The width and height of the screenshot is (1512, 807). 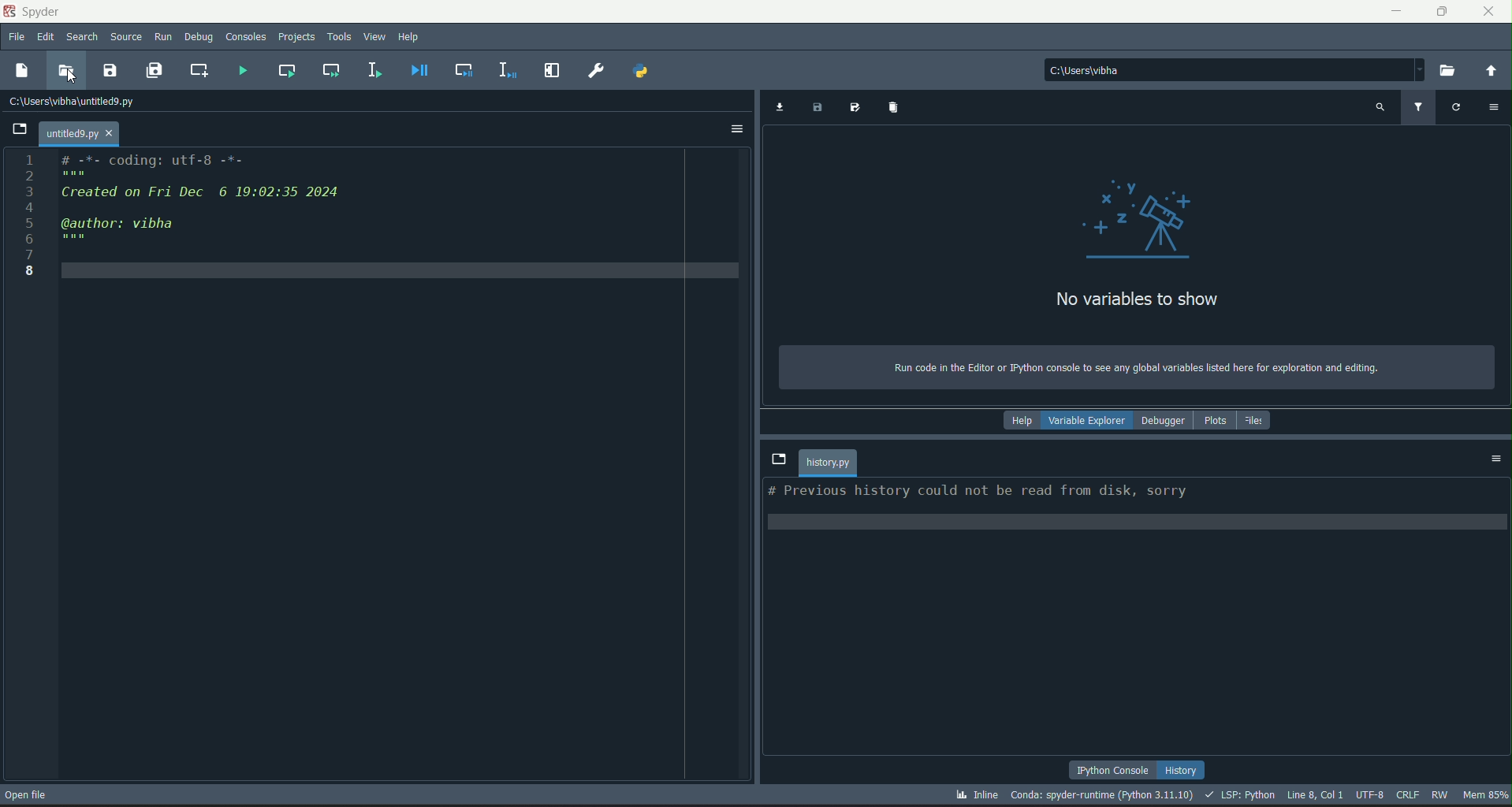 What do you see at coordinates (1449, 71) in the screenshot?
I see `browse a working directory` at bounding box center [1449, 71].